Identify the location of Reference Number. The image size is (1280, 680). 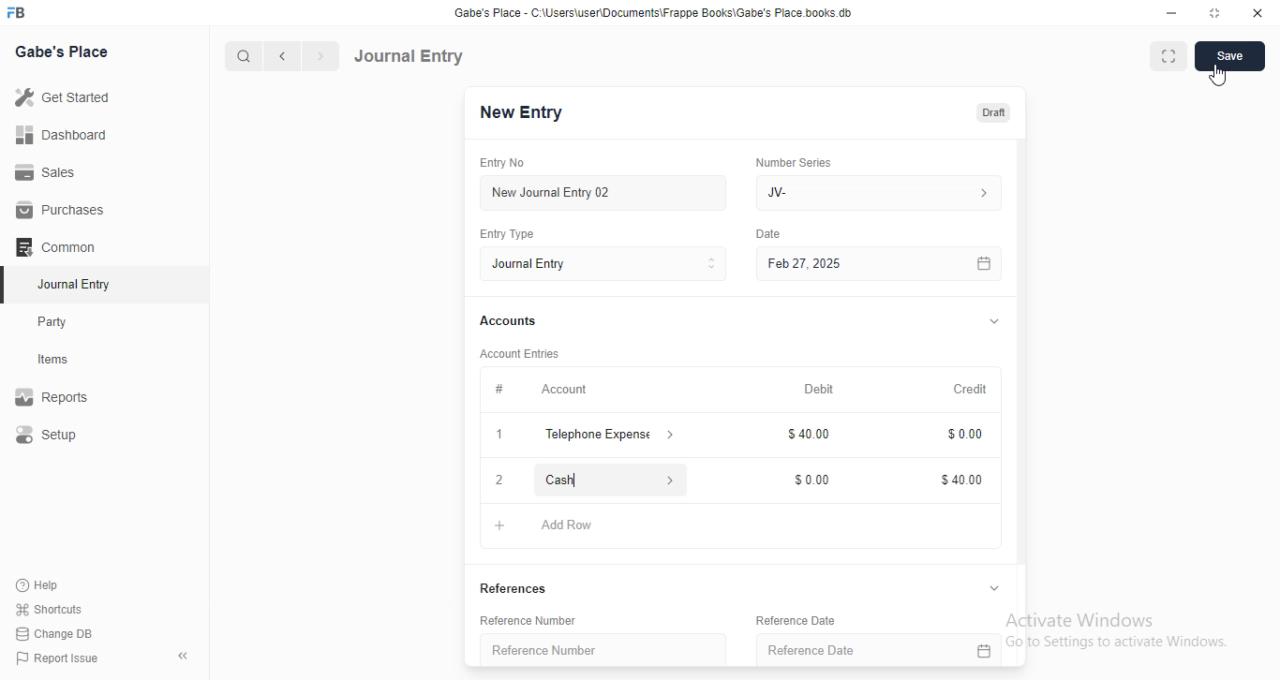
(522, 623).